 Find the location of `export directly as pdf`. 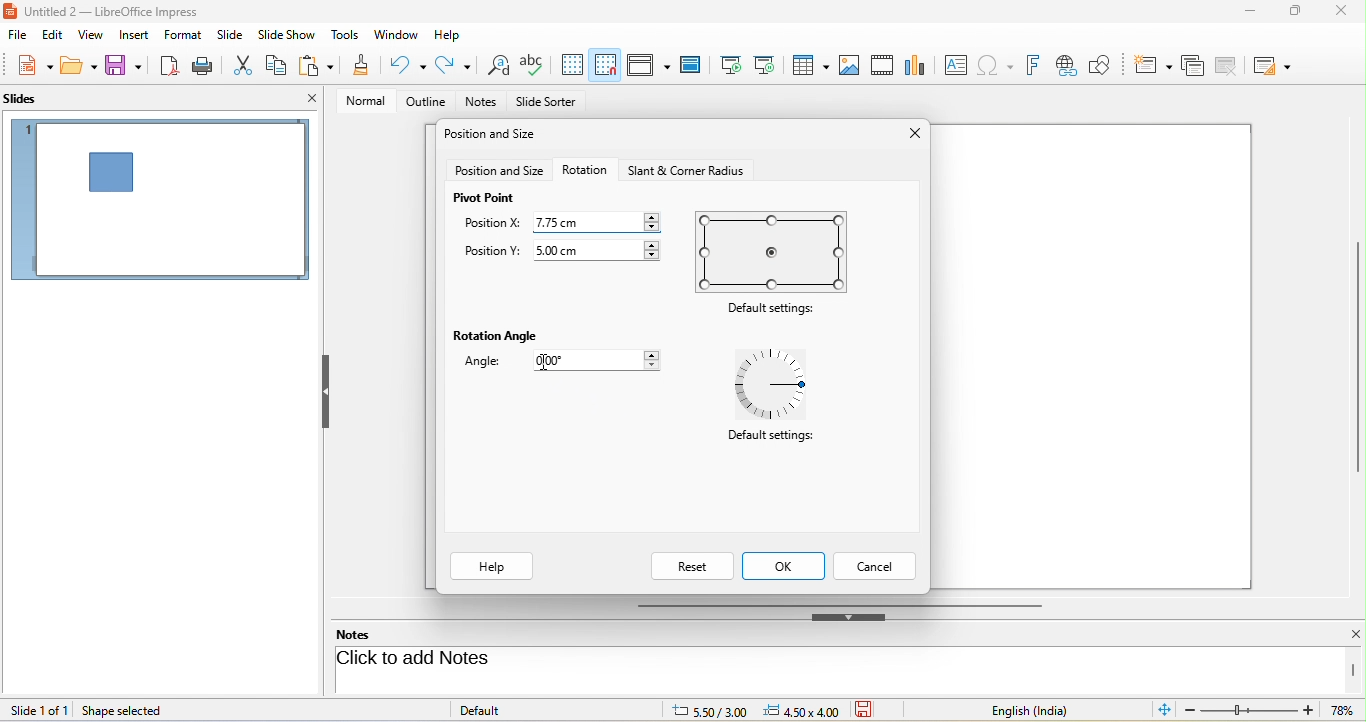

export directly as pdf is located at coordinates (171, 66).